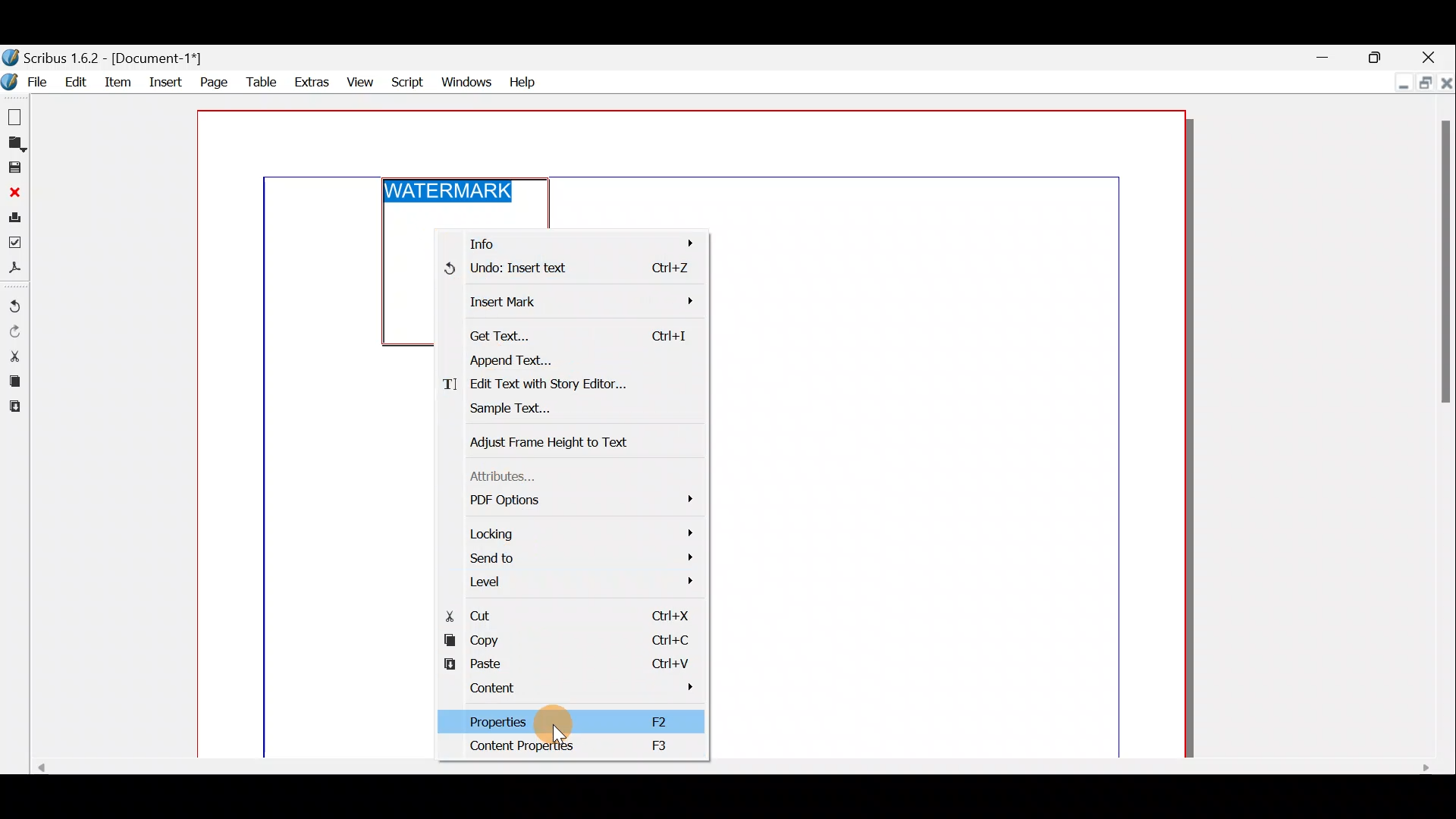  I want to click on Edit text with story editor, so click(566, 384).